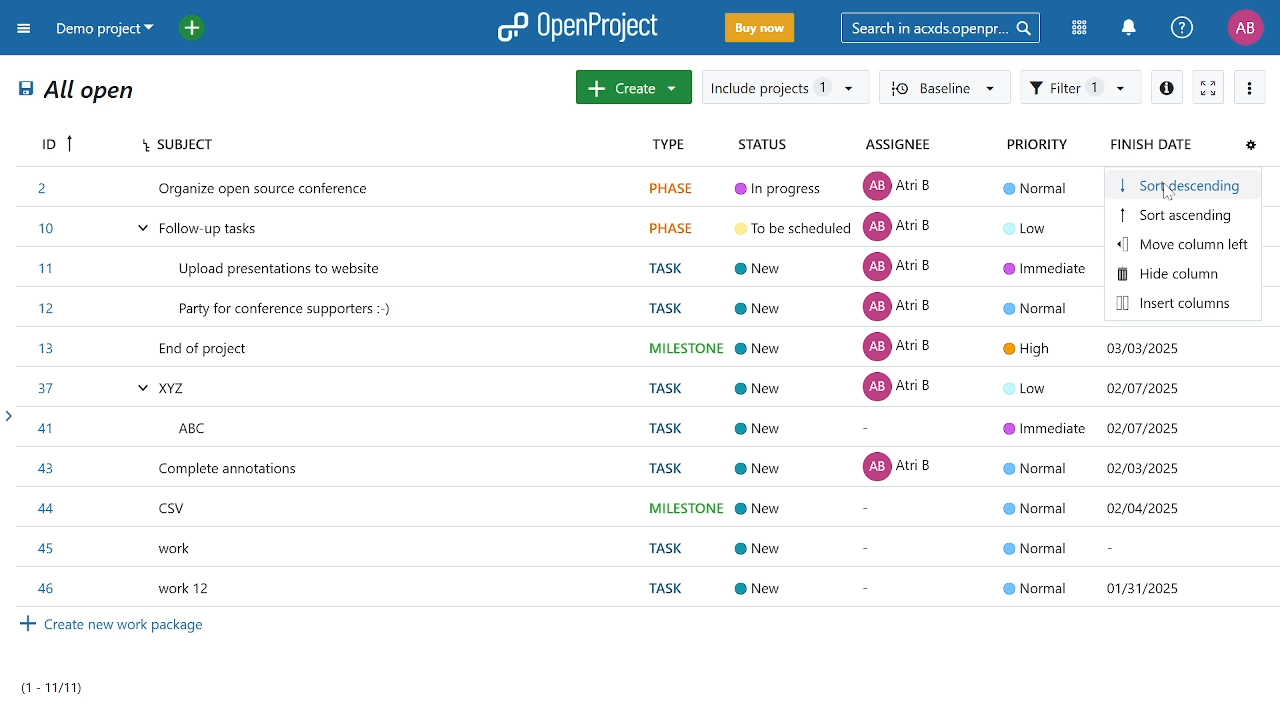 This screenshot has height=720, width=1280. What do you see at coordinates (653, 505) in the screenshot?
I see `task titled "CSV"` at bounding box center [653, 505].